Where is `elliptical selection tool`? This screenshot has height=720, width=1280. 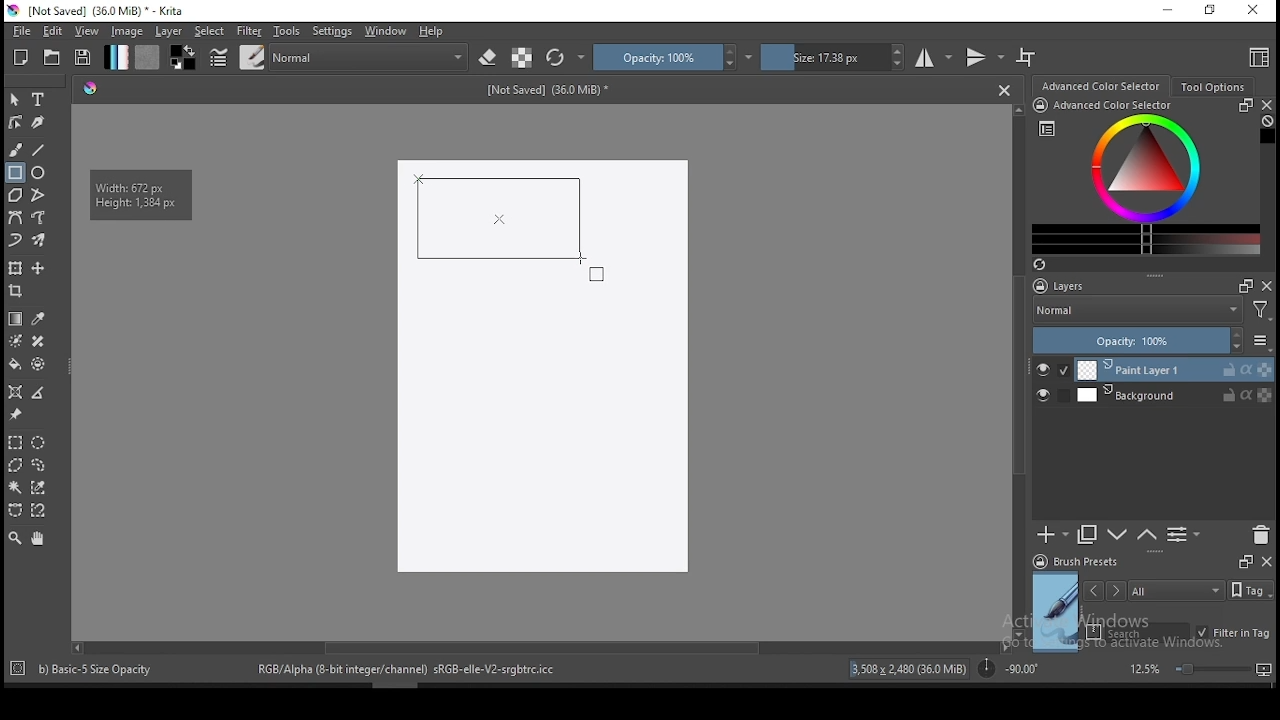
elliptical selection tool is located at coordinates (38, 443).